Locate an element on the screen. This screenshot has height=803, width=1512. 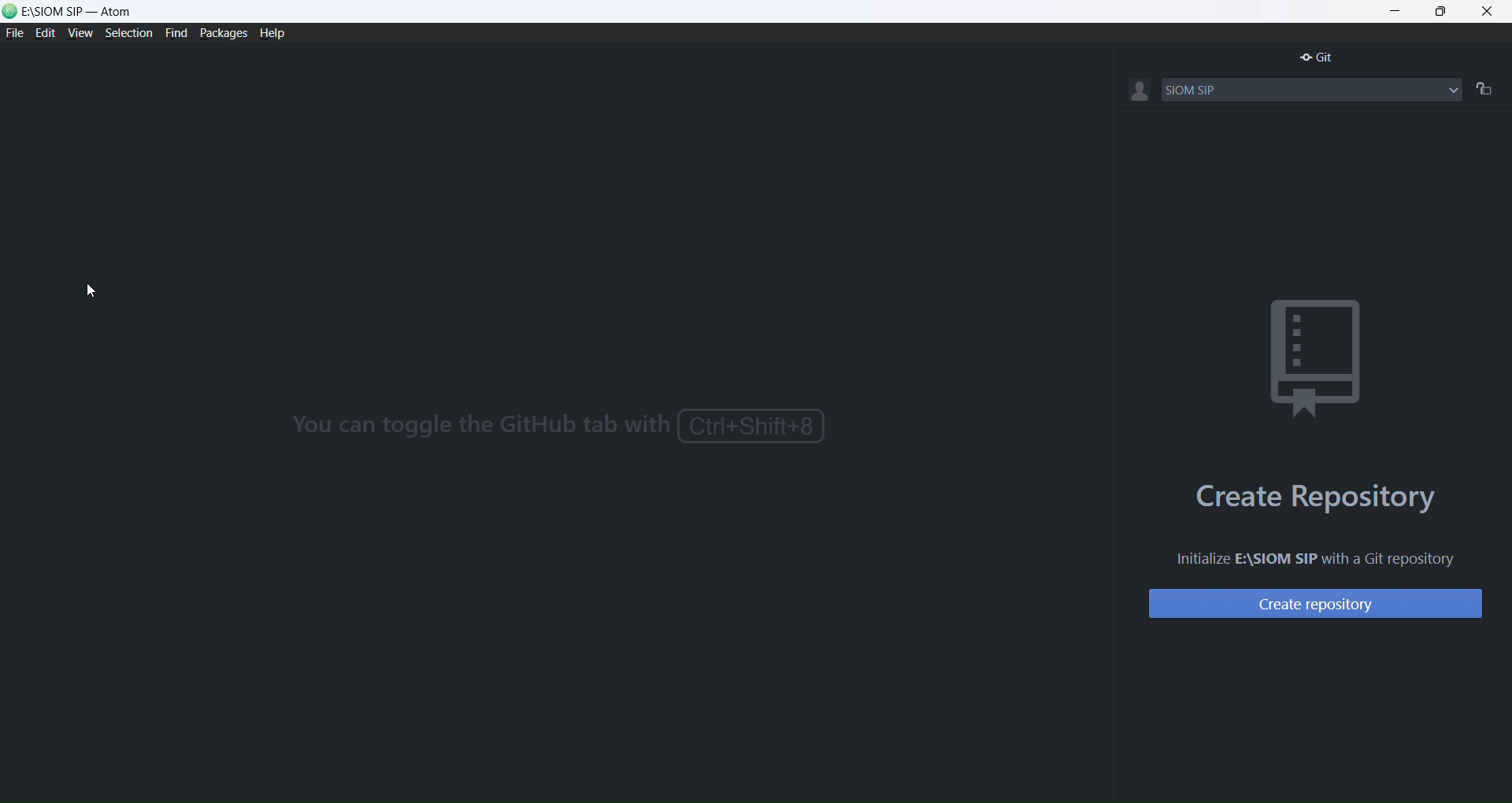
packages is located at coordinates (220, 32).